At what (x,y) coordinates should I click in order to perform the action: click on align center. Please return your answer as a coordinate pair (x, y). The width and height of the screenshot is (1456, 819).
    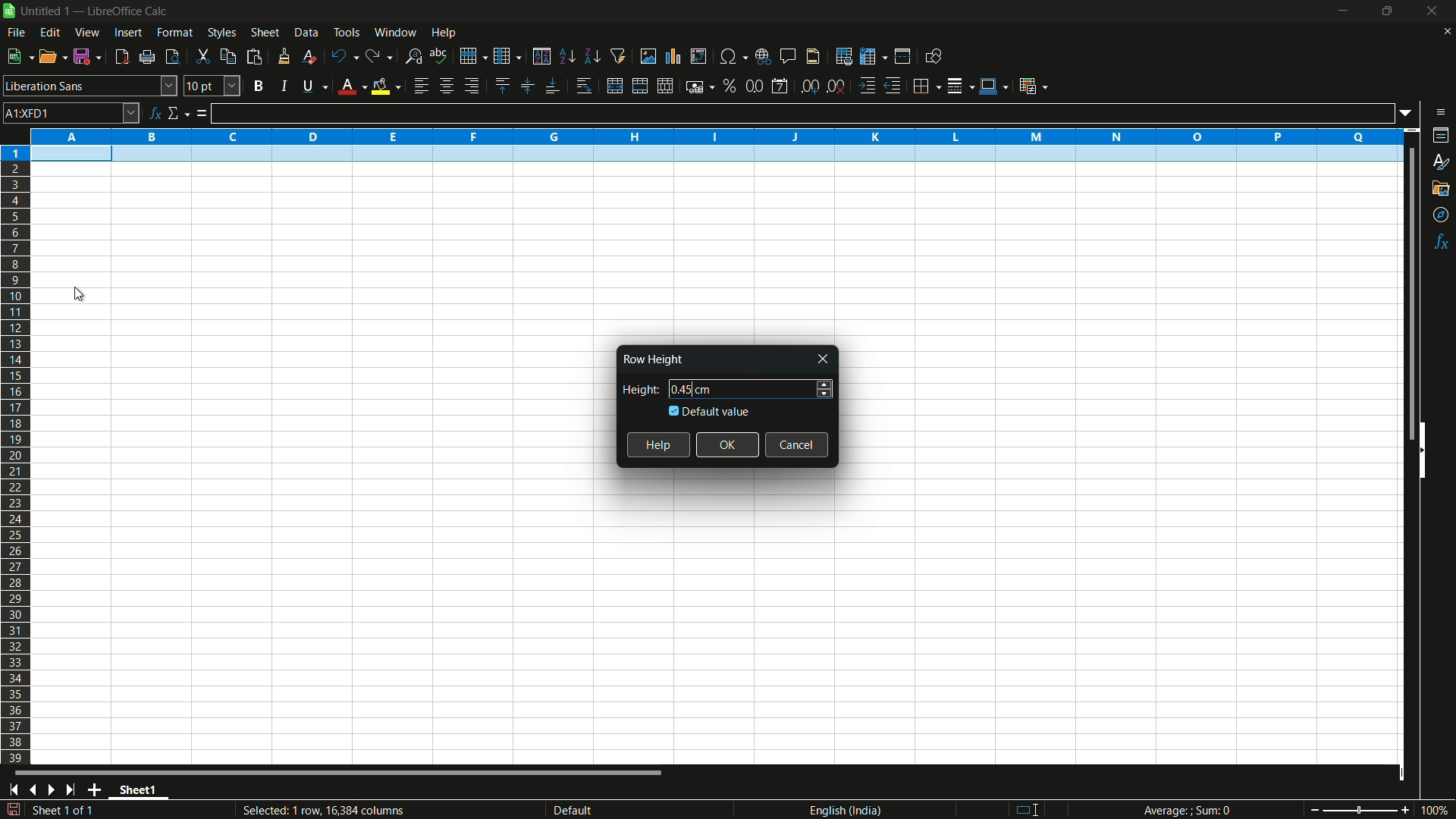
    Looking at the image, I should click on (446, 86).